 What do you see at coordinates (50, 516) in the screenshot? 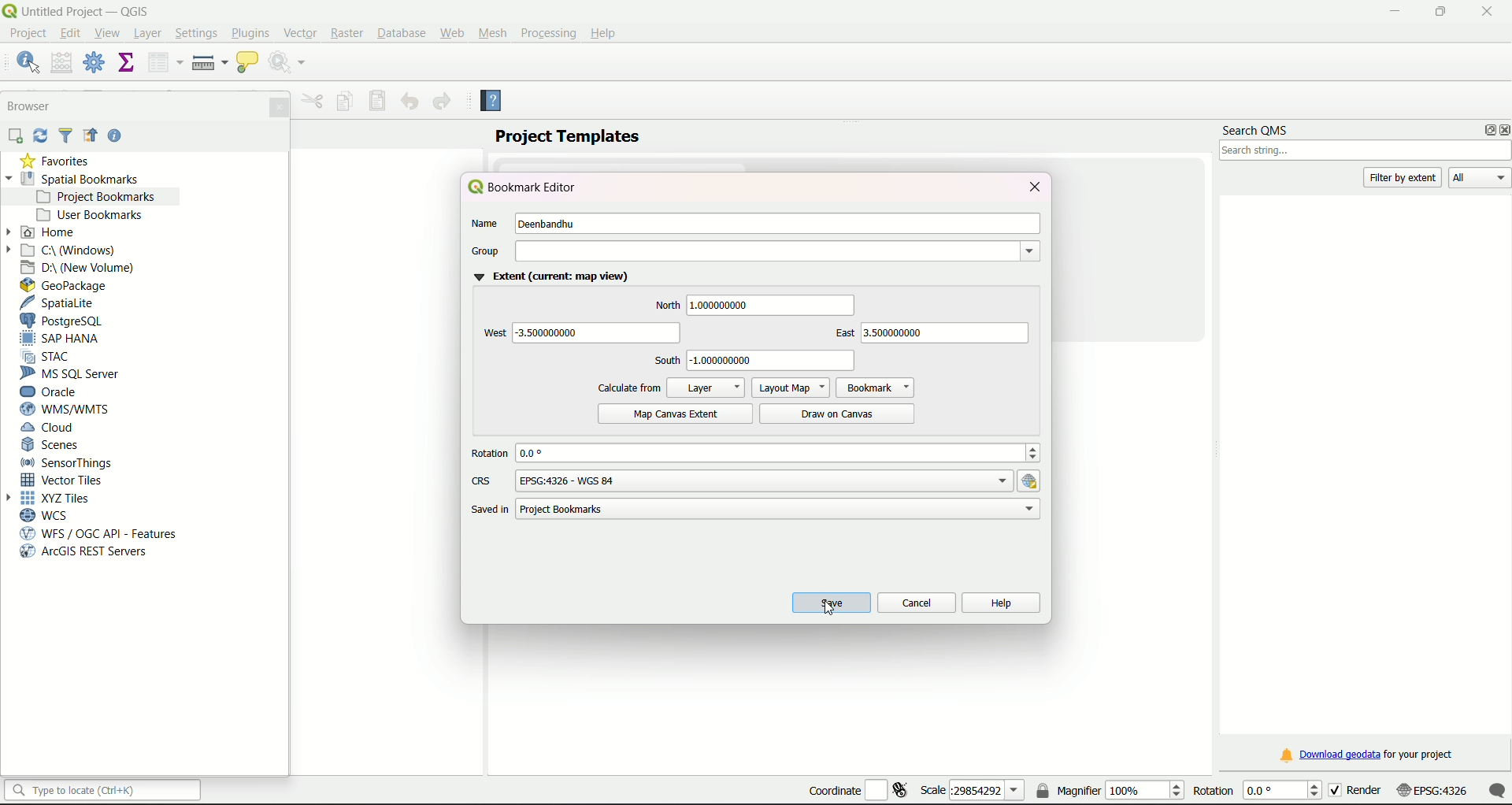
I see `WCS` at bounding box center [50, 516].